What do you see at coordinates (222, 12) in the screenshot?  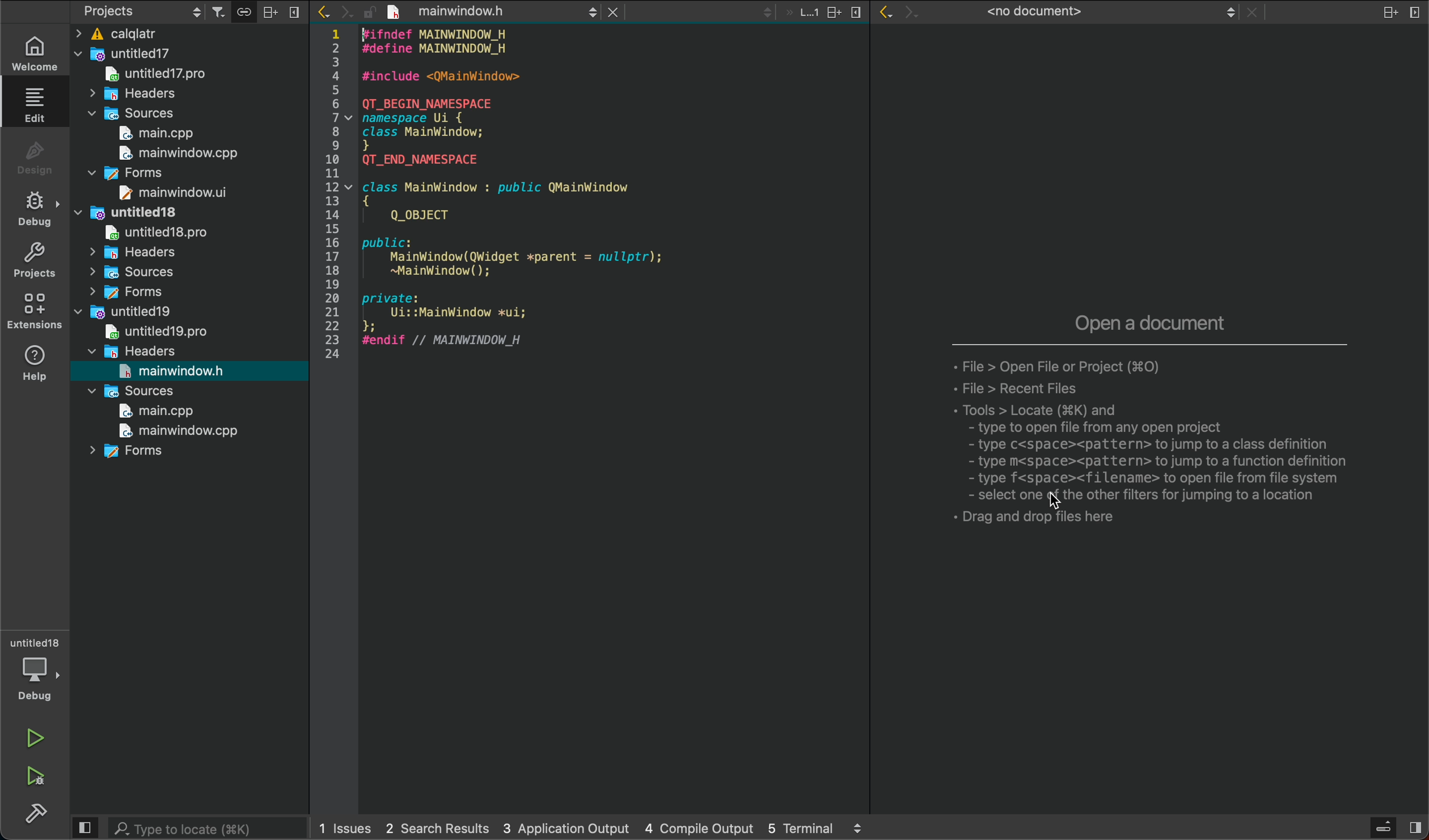 I see `filters` at bounding box center [222, 12].